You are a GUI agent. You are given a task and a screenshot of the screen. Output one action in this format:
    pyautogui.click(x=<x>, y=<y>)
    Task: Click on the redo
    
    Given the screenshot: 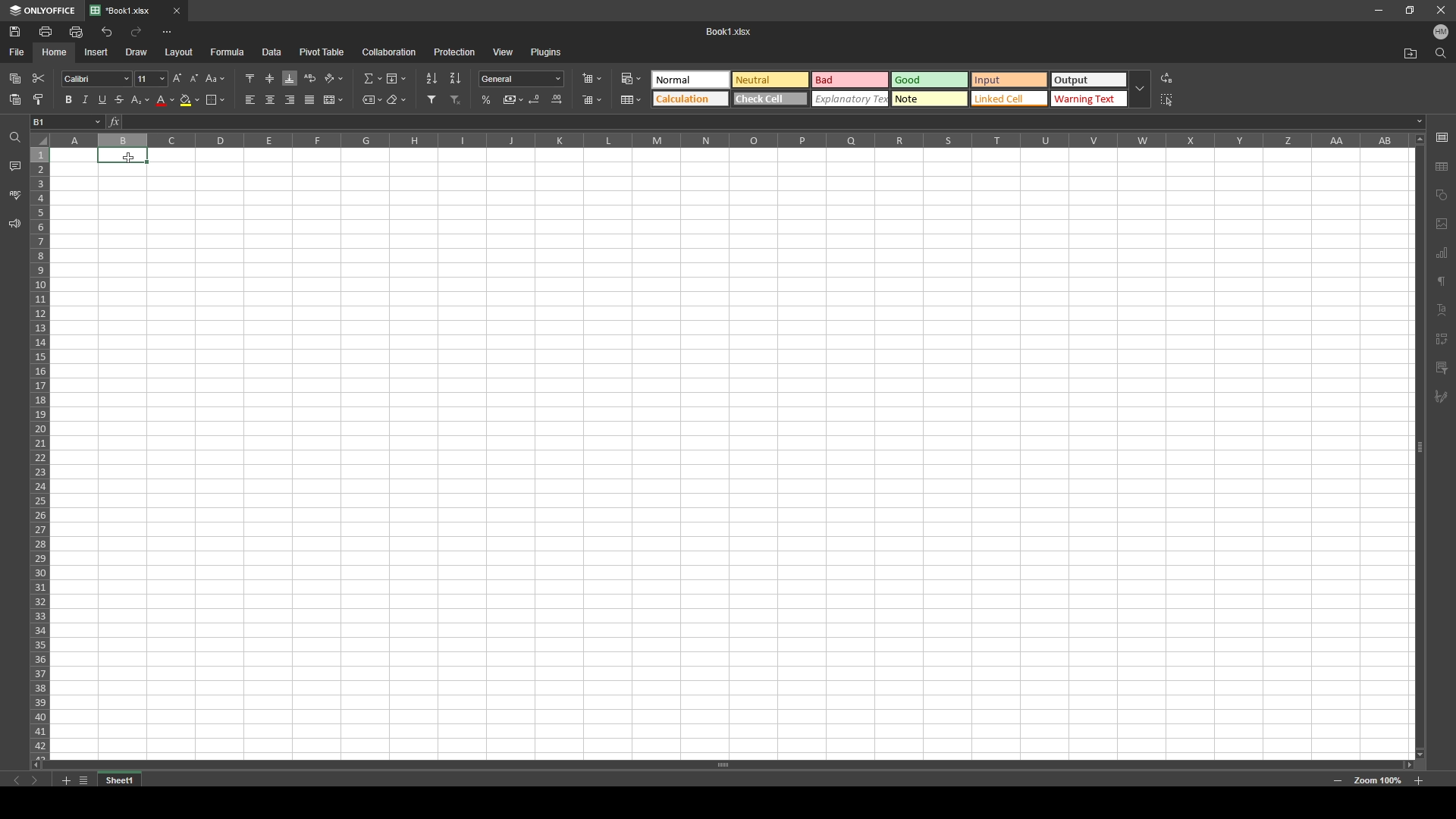 What is the action you would take?
    pyautogui.click(x=136, y=32)
    